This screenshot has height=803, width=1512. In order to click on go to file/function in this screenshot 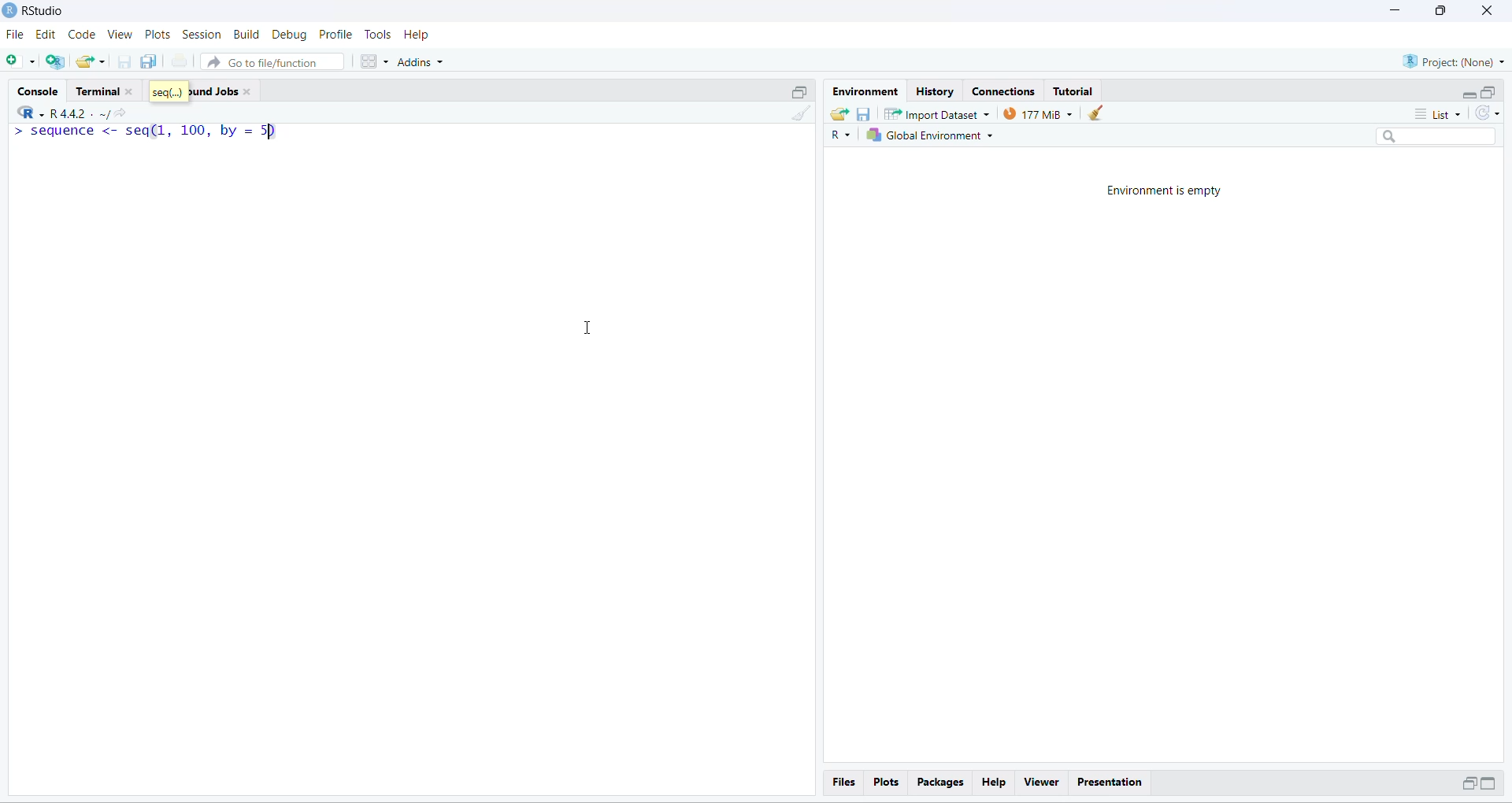, I will do `click(272, 61)`.